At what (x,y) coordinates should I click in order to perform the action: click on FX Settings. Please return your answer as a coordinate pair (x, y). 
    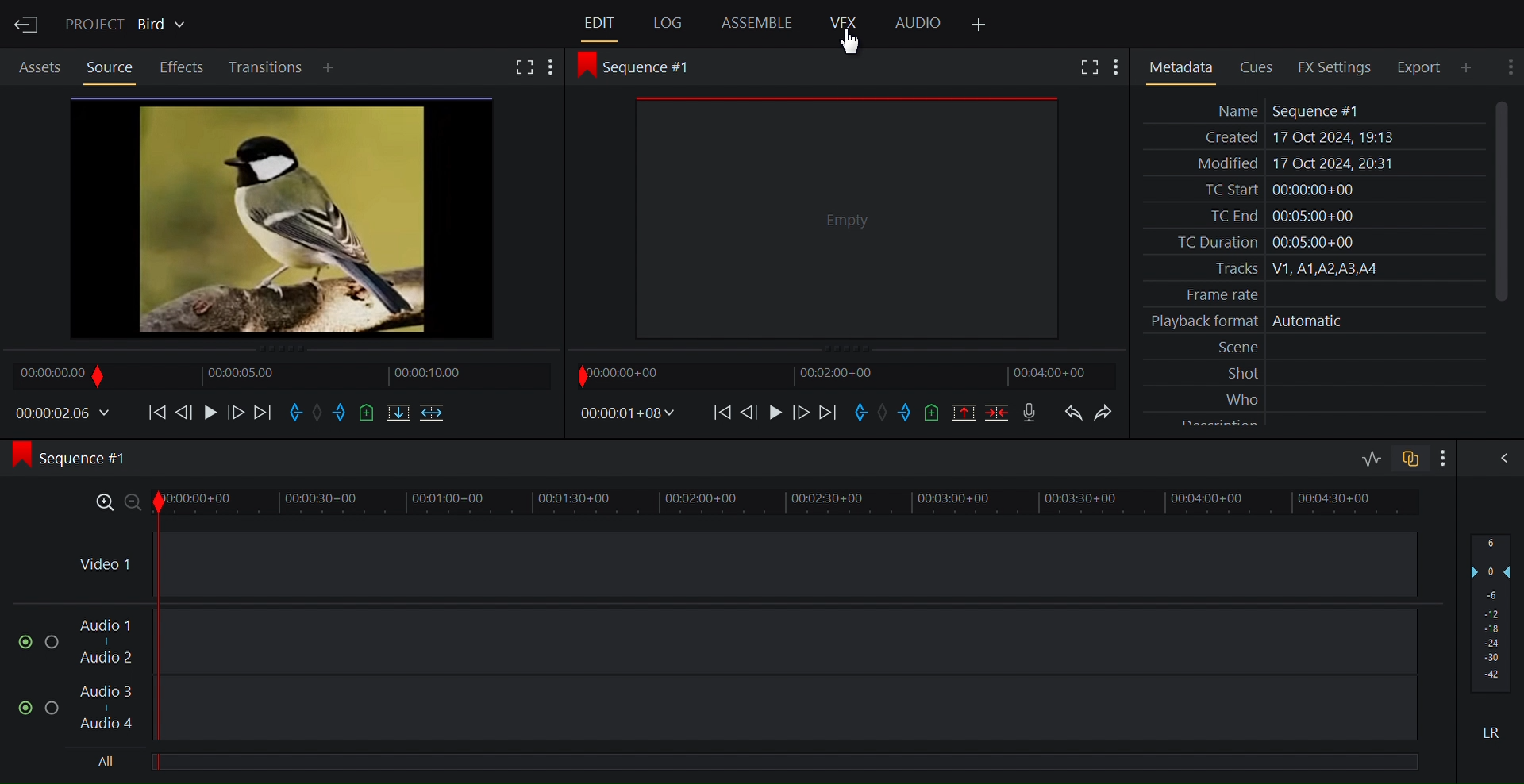
    Looking at the image, I should click on (1341, 65).